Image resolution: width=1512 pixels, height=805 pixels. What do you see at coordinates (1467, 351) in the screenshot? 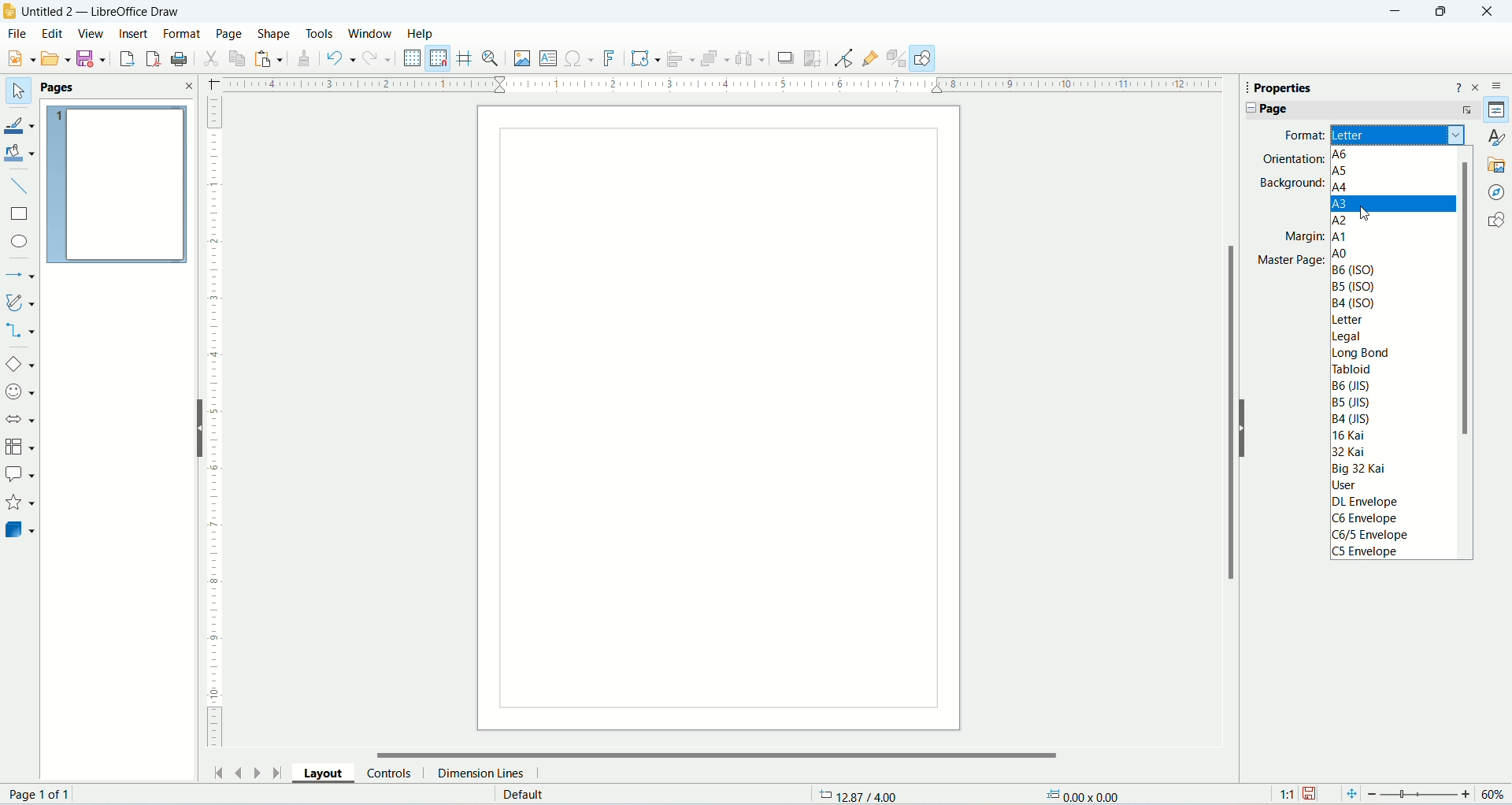
I see `vertical scroll bar` at bounding box center [1467, 351].